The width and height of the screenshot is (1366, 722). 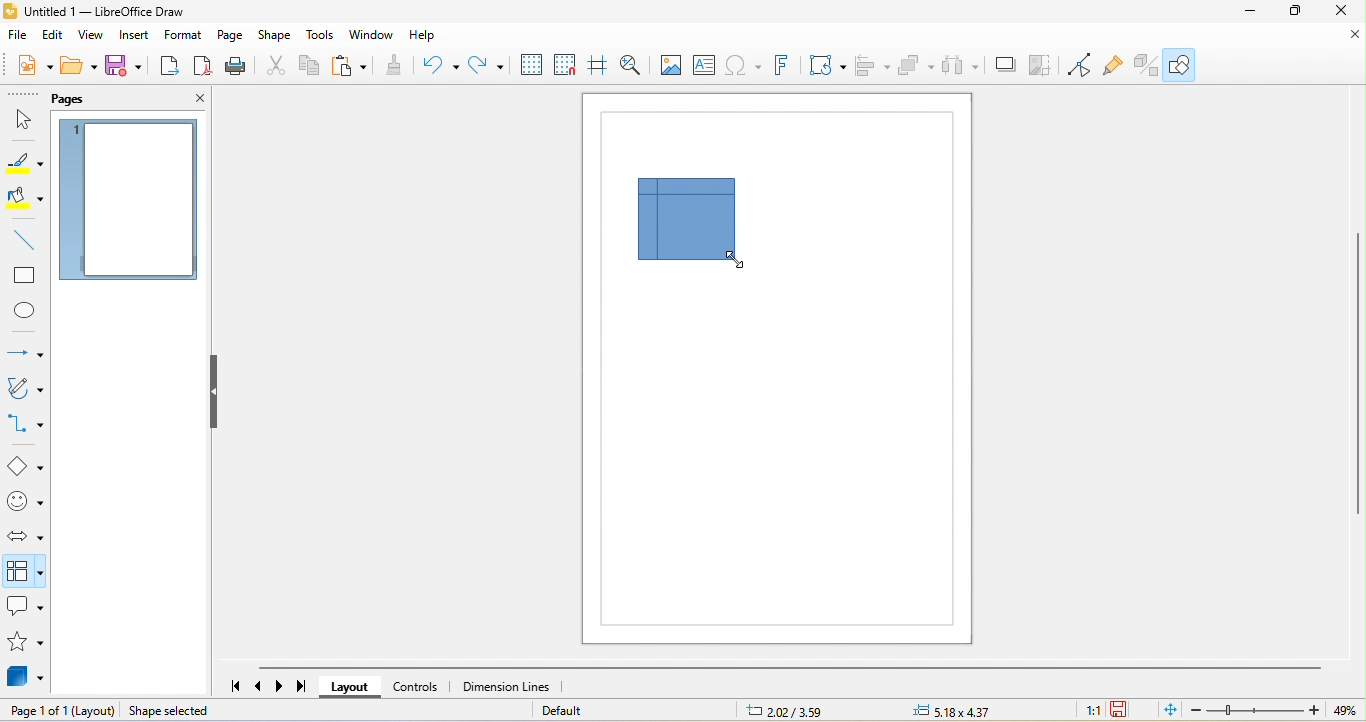 I want to click on line, so click(x=25, y=241).